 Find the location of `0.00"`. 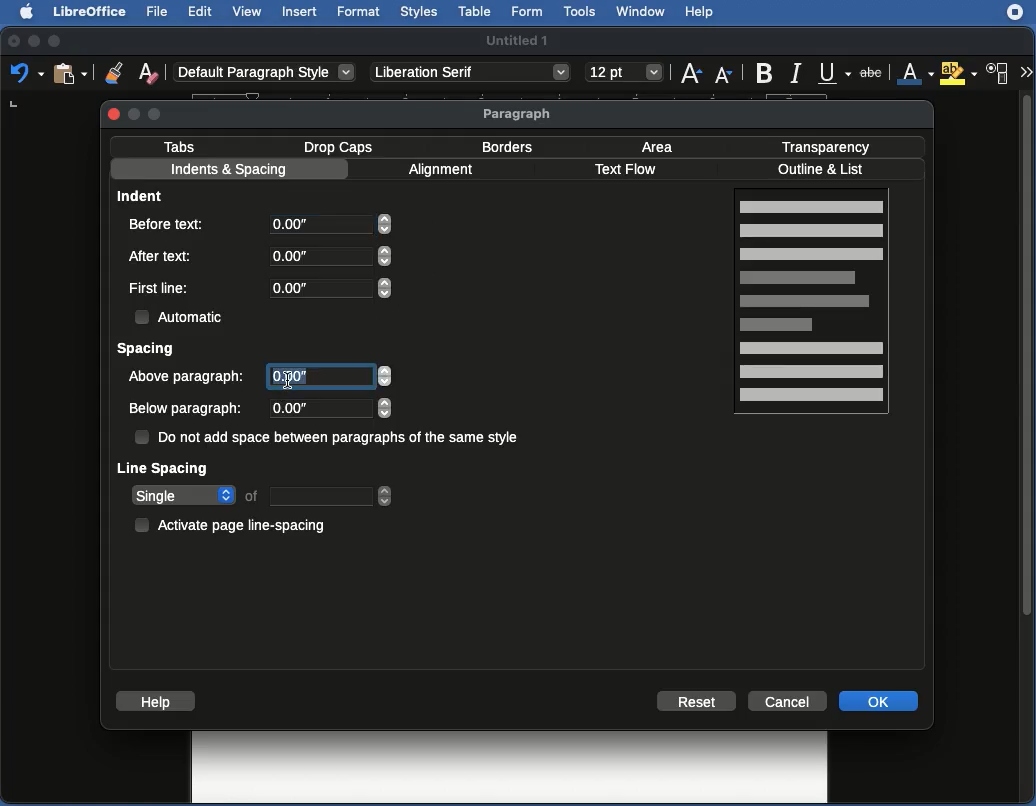

0.00" is located at coordinates (326, 408).